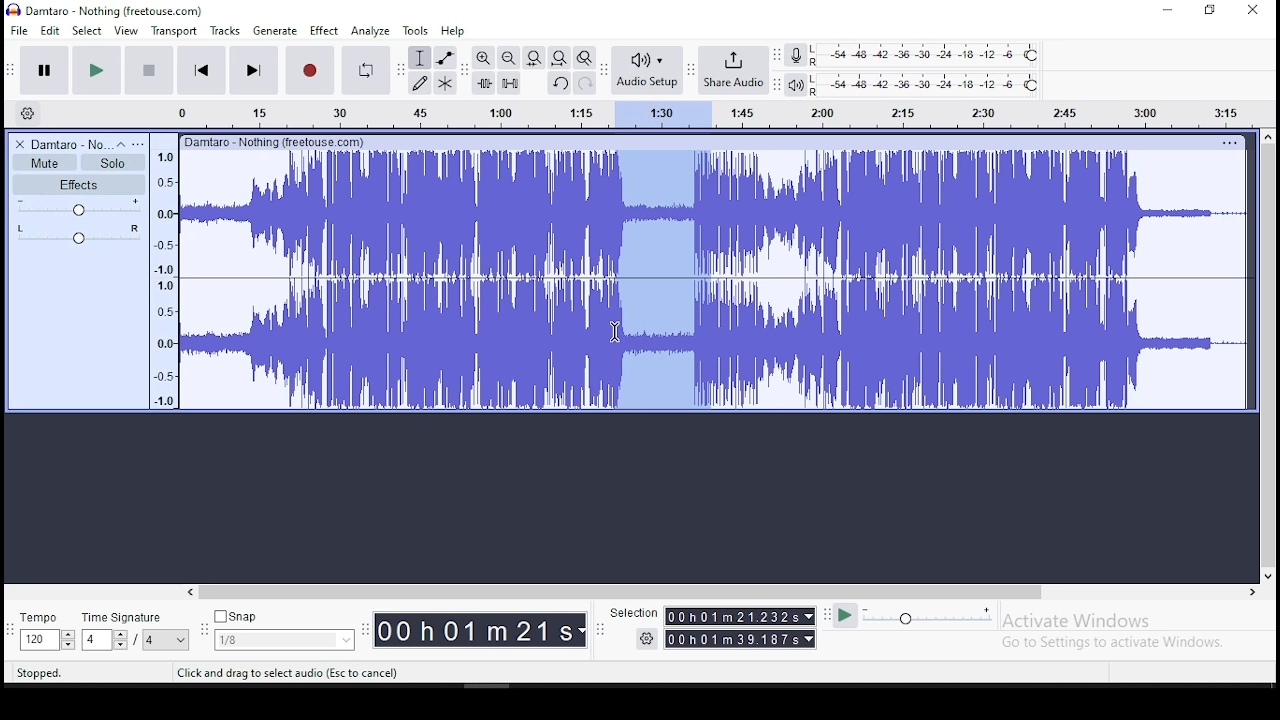  I want to click on zoom out, so click(508, 57).